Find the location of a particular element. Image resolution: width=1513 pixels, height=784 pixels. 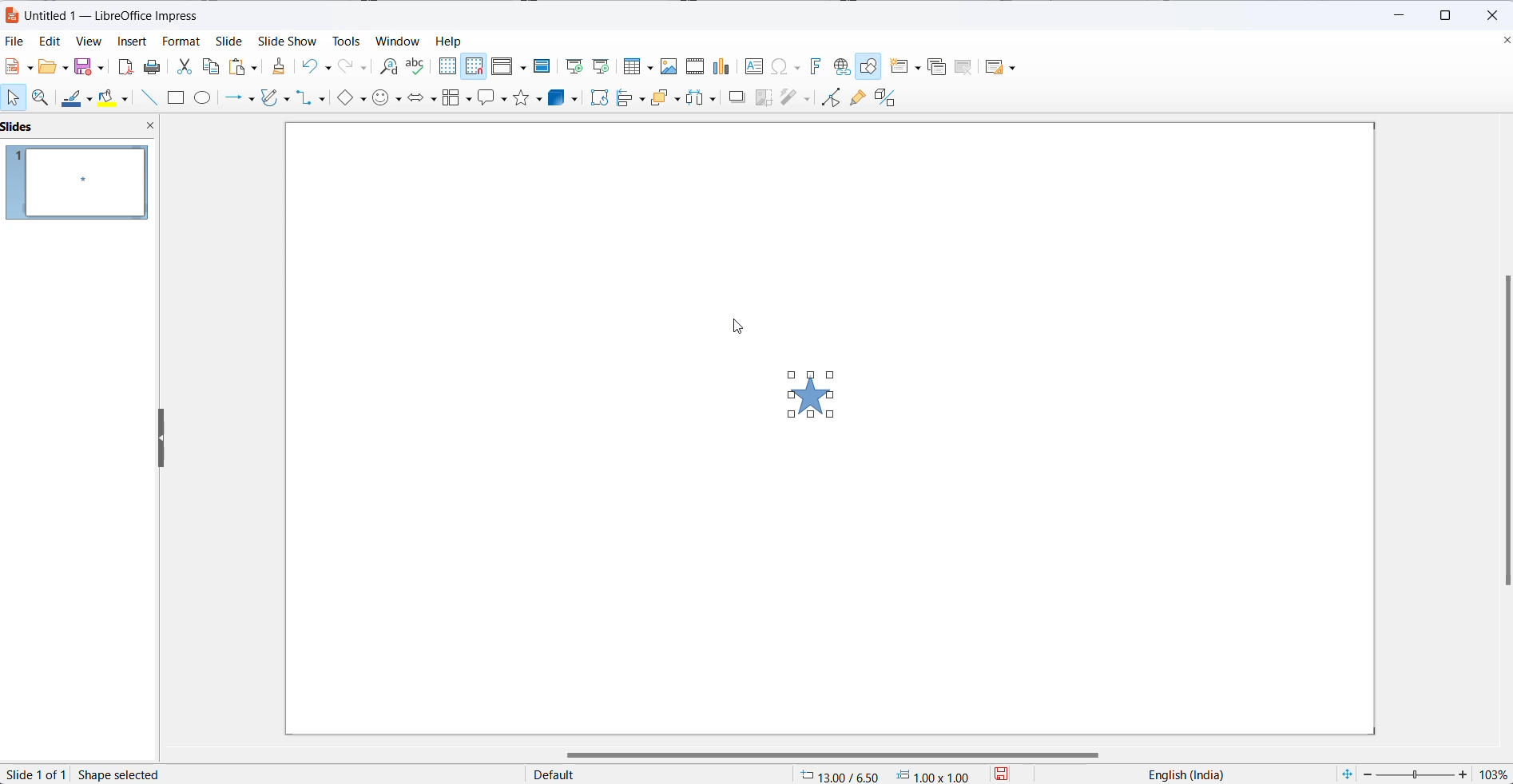

line color is located at coordinates (78, 97).